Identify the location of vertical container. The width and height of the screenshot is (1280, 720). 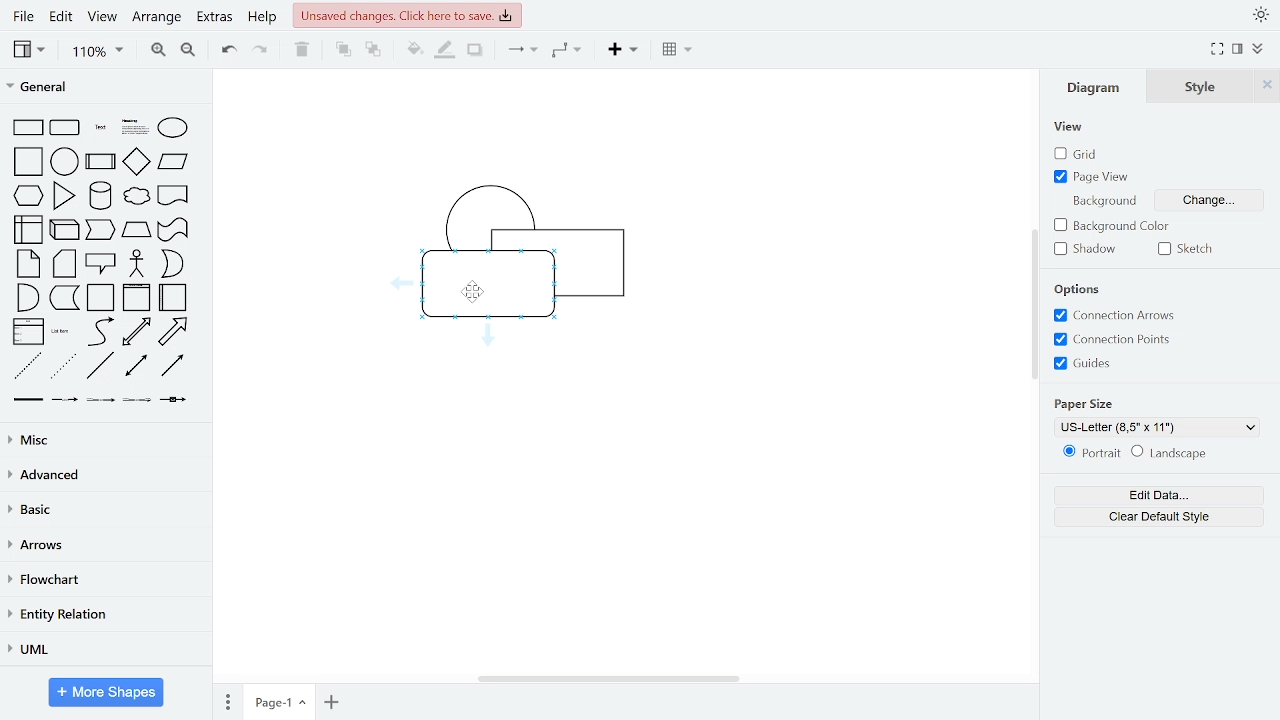
(138, 297).